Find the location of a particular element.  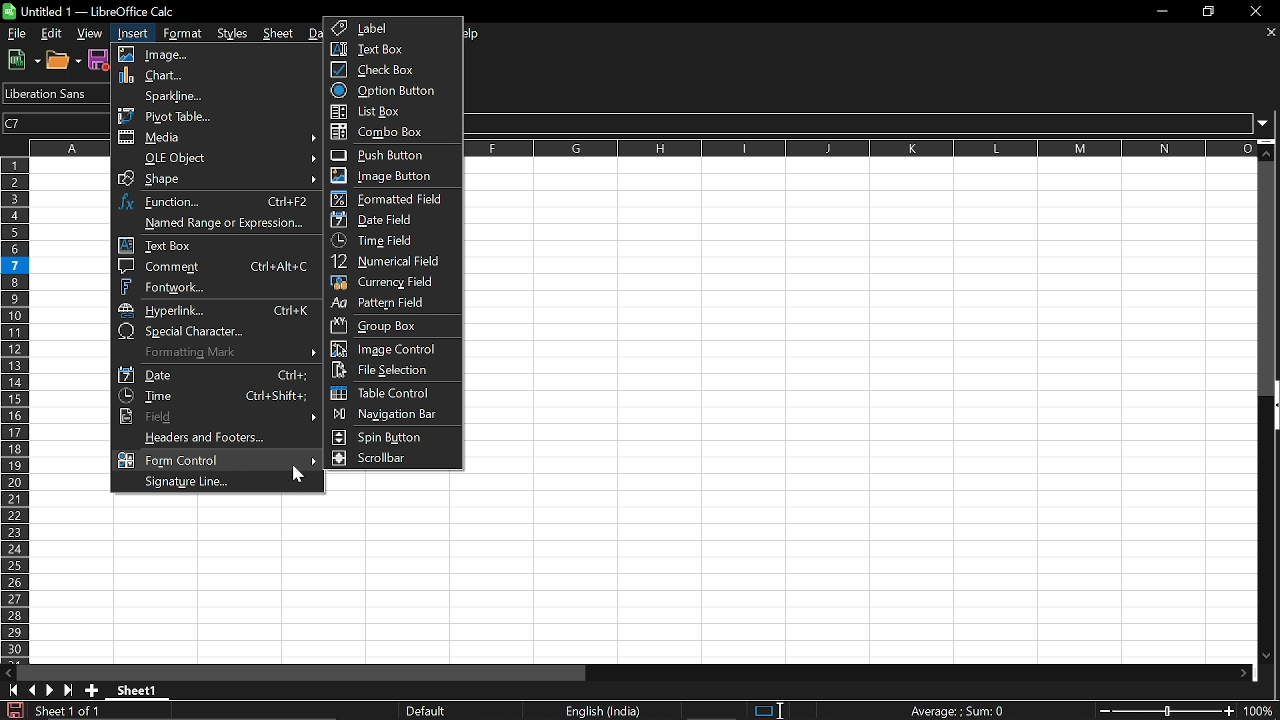

COmment is located at coordinates (214, 266).